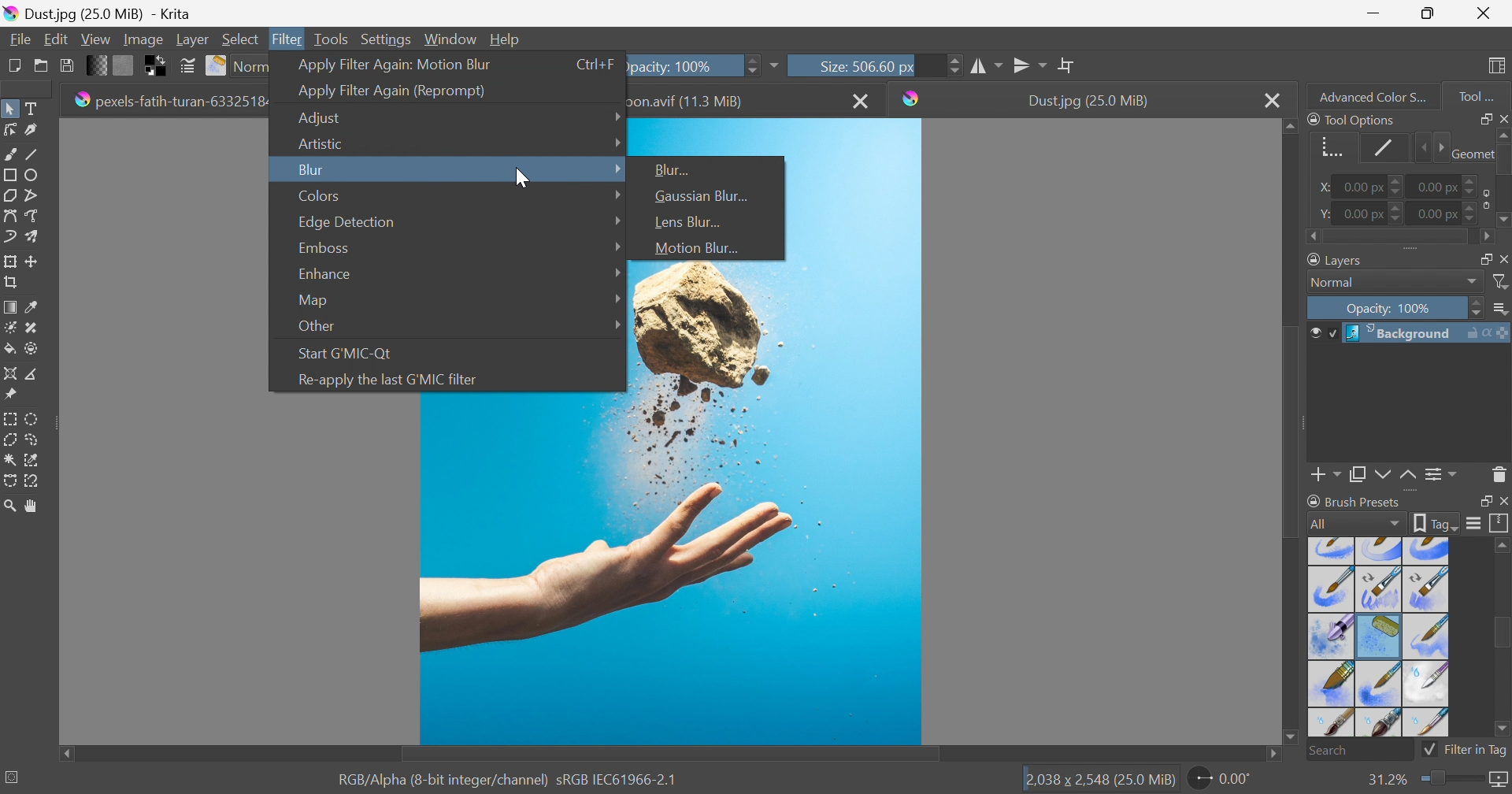  I want to click on Start G'MIC -Qt, so click(349, 351).